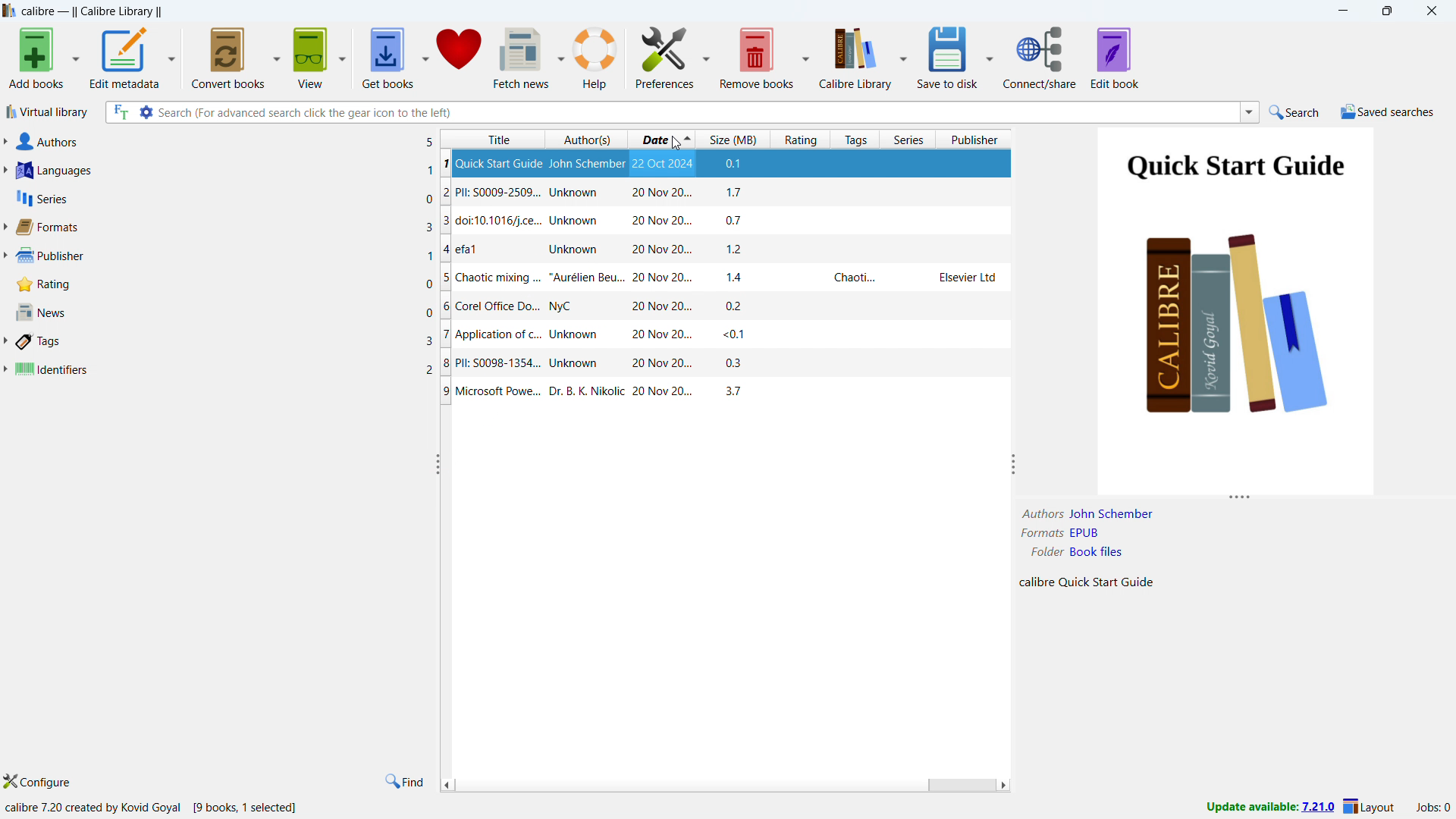  What do you see at coordinates (48, 112) in the screenshot?
I see `virtual library` at bounding box center [48, 112].